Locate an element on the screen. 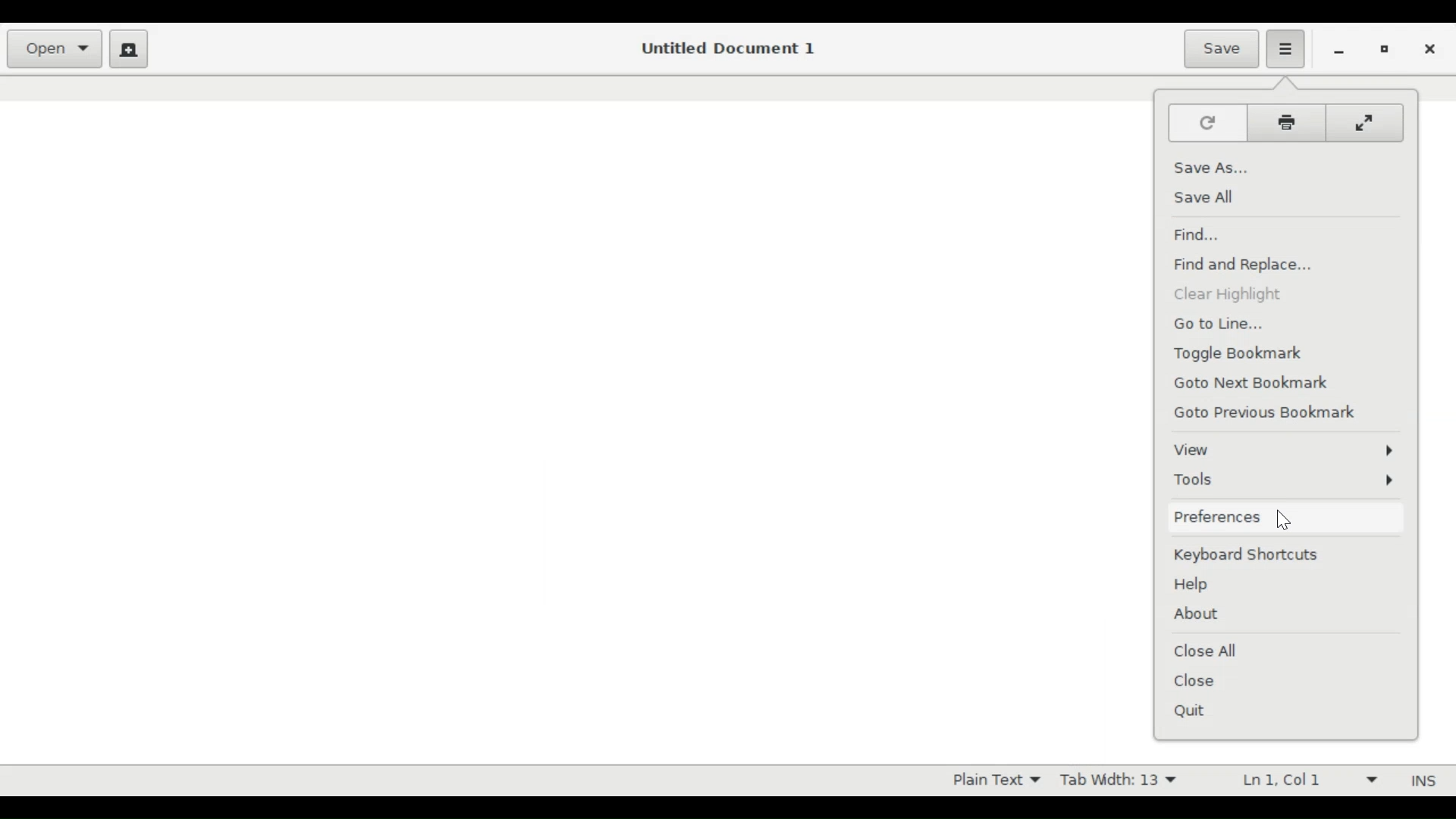  Tab Width 13 is located at coordinates (1122, 782).